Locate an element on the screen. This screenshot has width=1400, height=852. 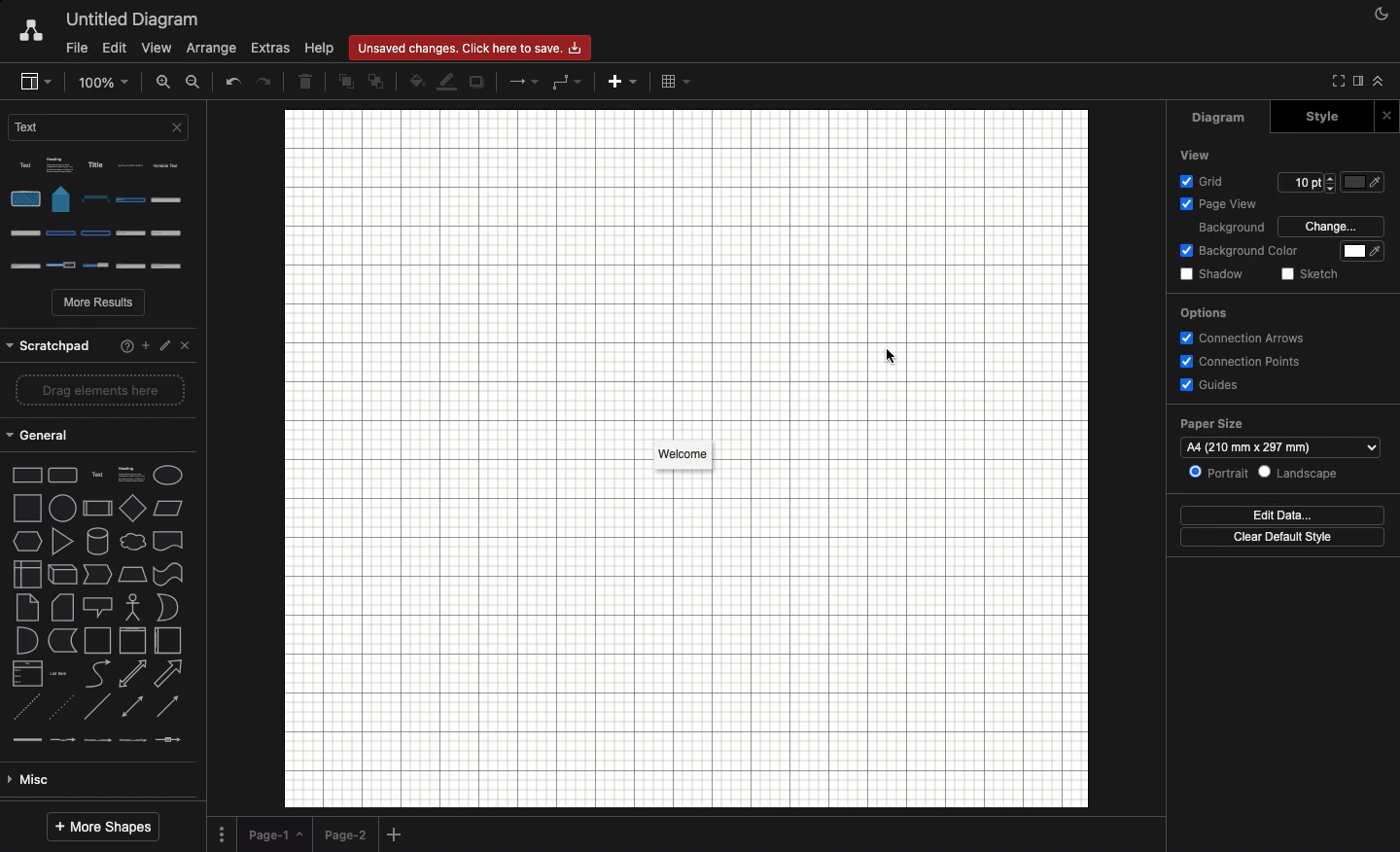
Page 2 is located at coordinates (344, 834).